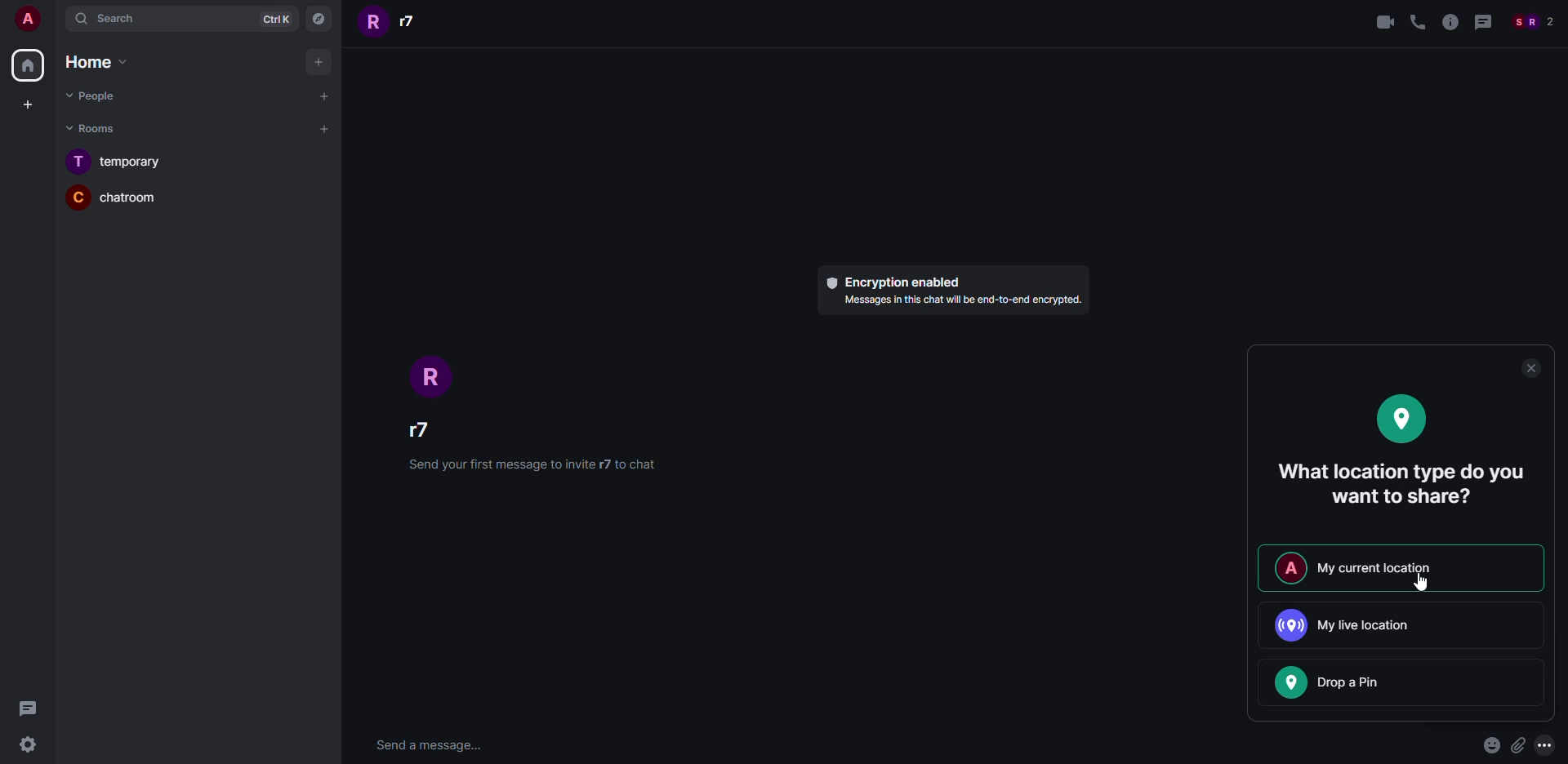 The height and width of the screenshot is (764, 1568). Describe the element at coordinates (1419, 582) in the screenshot. I see `cursor` at that location.